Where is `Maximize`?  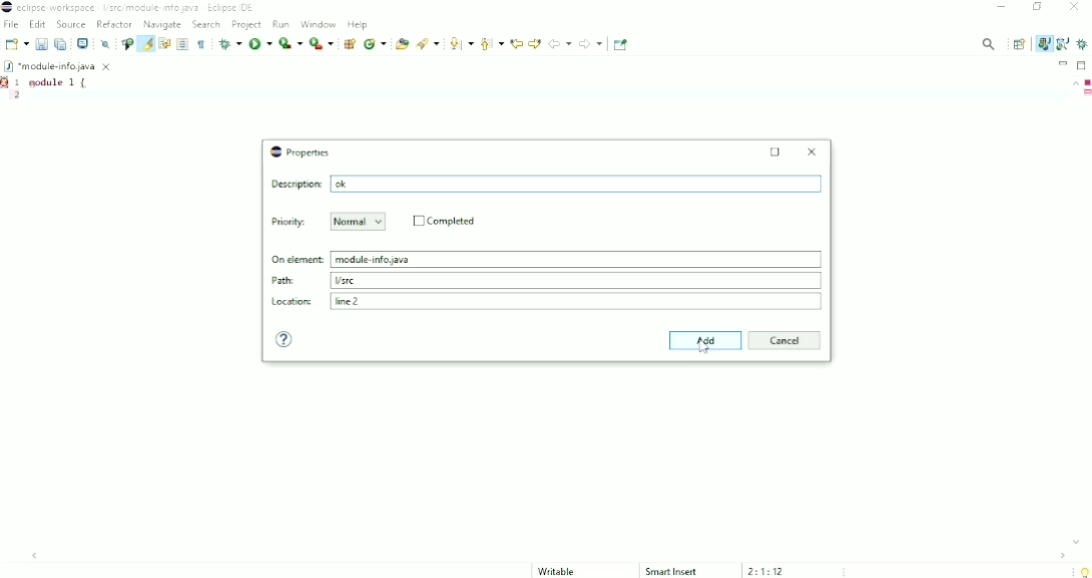 Maximize is located at coordinates (775, 152).